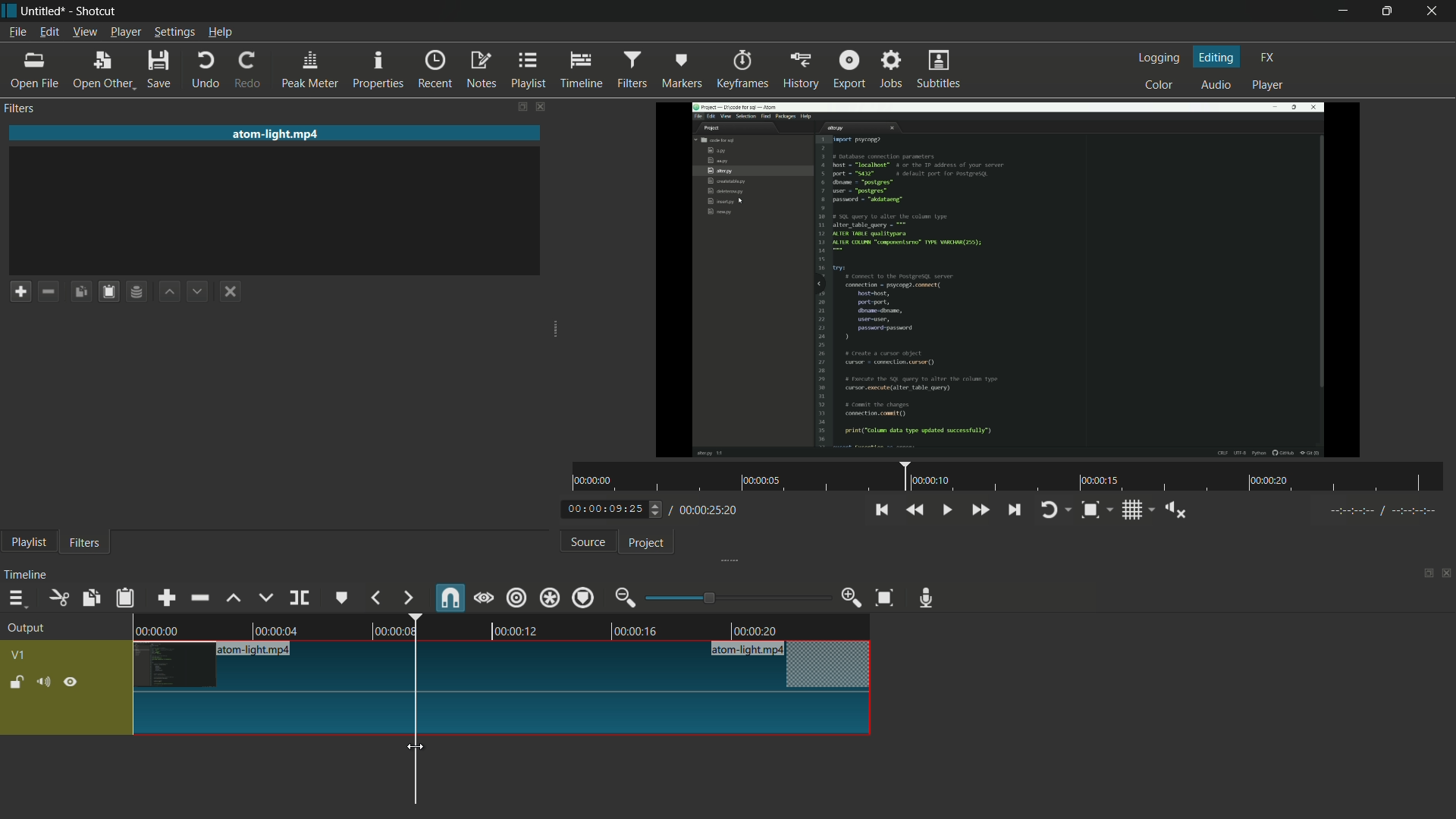 The width and height of the screenshot is (1456, 819). I want to click on add a filter, so click(20, 291).